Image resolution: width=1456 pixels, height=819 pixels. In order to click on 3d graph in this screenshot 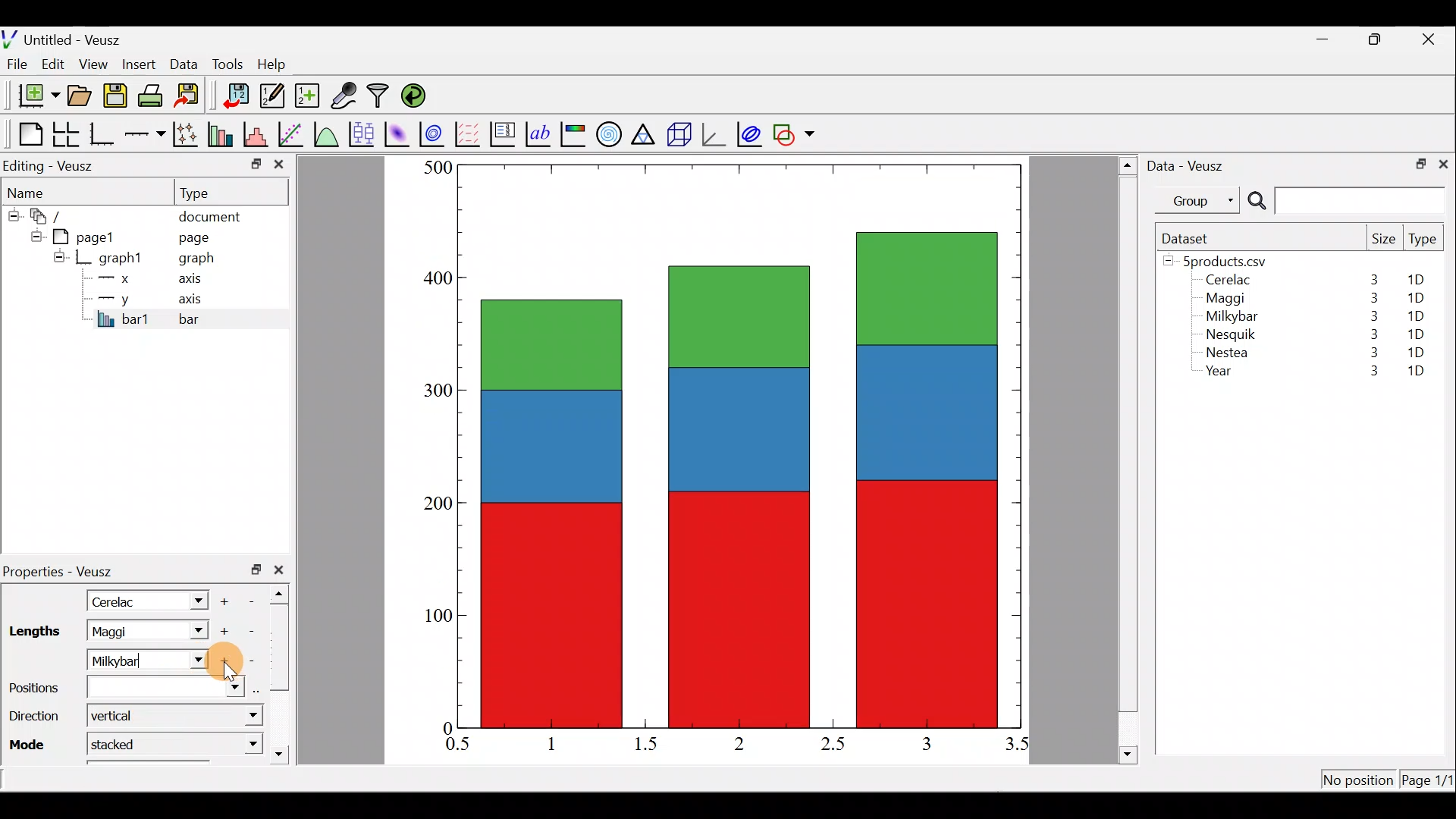, I will do `click(714, 133)`.